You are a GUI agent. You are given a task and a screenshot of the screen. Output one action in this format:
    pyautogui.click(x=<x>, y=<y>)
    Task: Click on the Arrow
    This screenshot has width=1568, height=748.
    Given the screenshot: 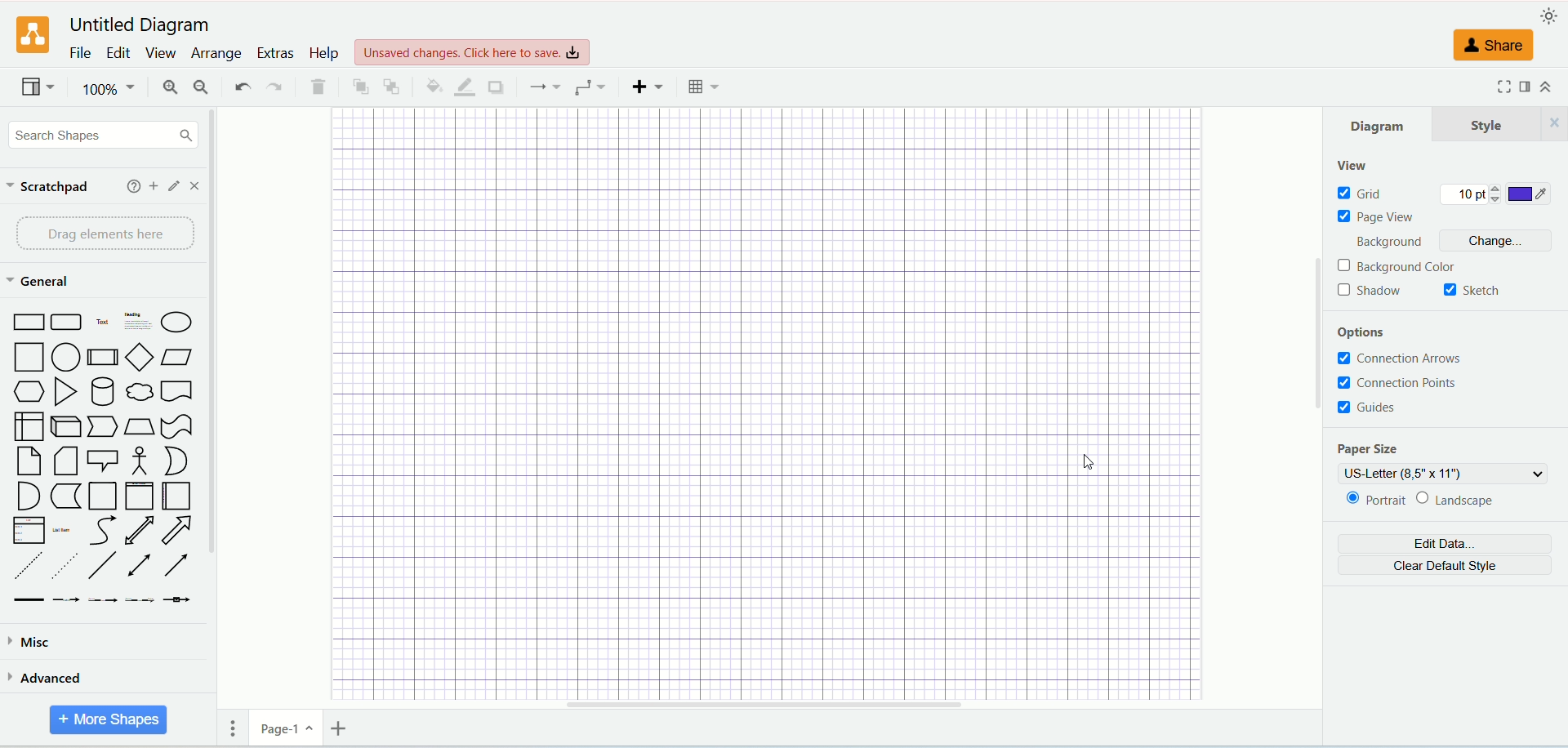 What is the action you would take?
    pyautogui.click(x=177, y=532)
    